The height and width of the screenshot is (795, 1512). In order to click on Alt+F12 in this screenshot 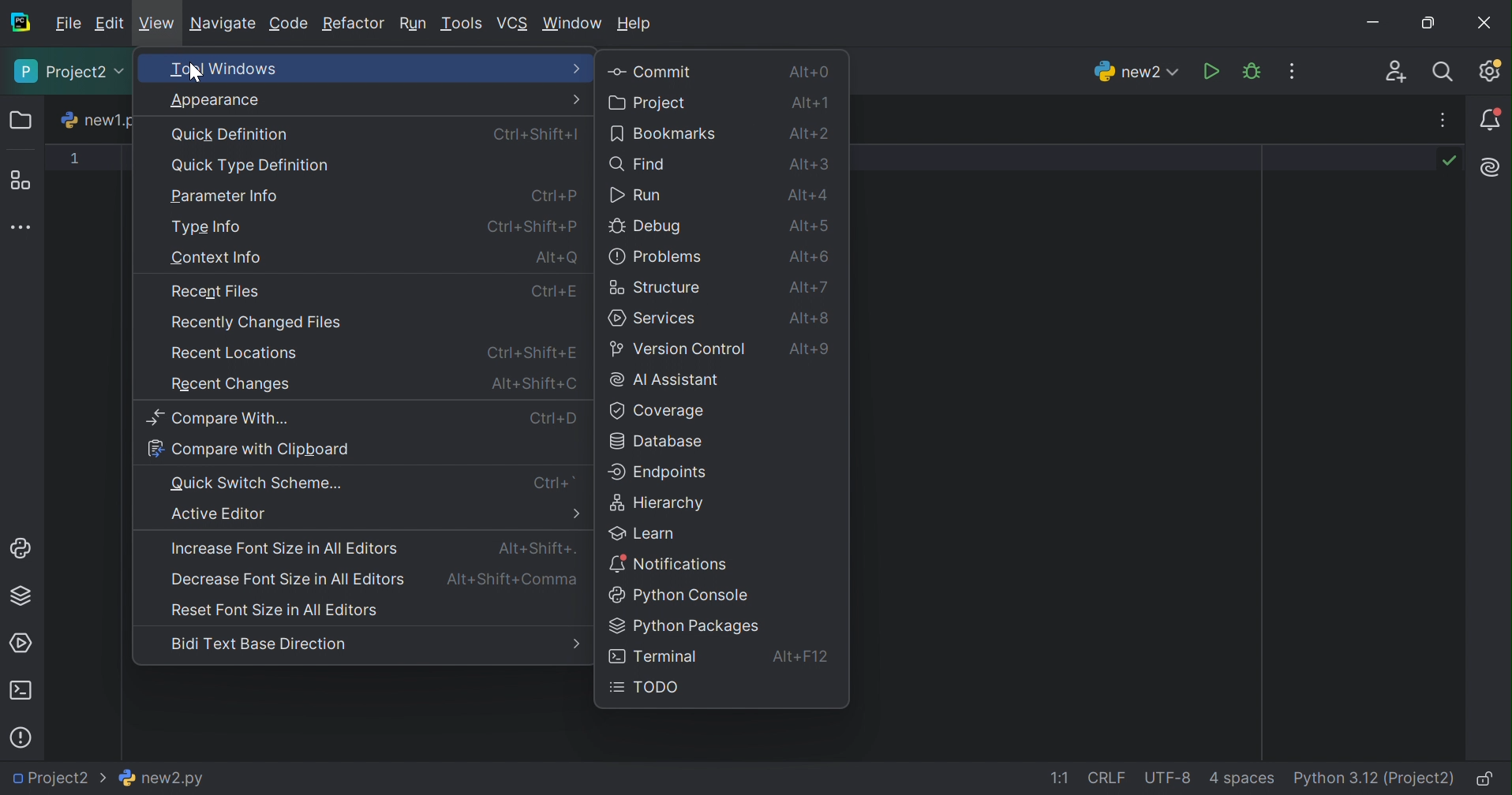, I will do `click(800, 658)`.